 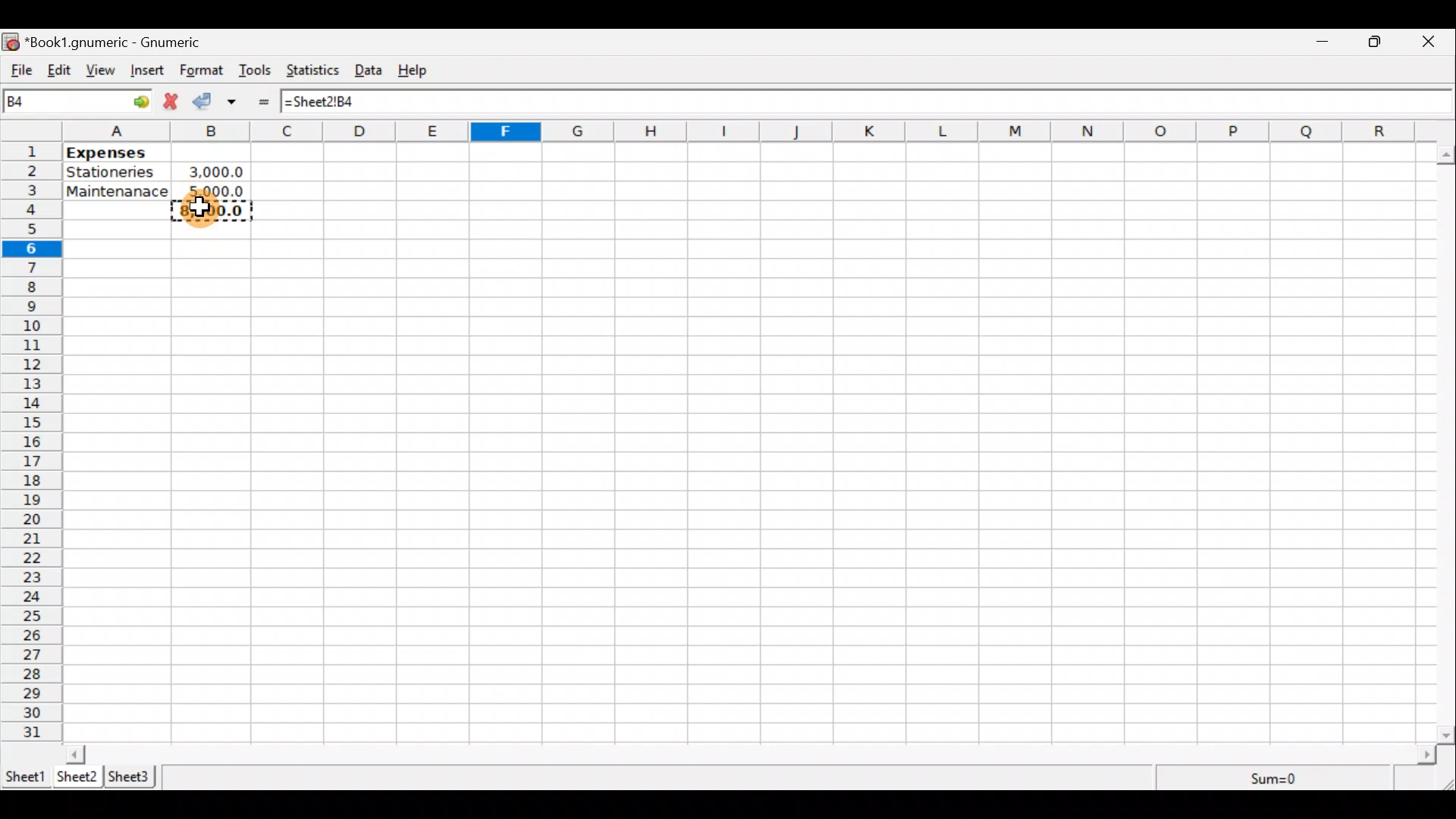 I want to click on Accept change in multiple cells, so click(x=237, y=102).